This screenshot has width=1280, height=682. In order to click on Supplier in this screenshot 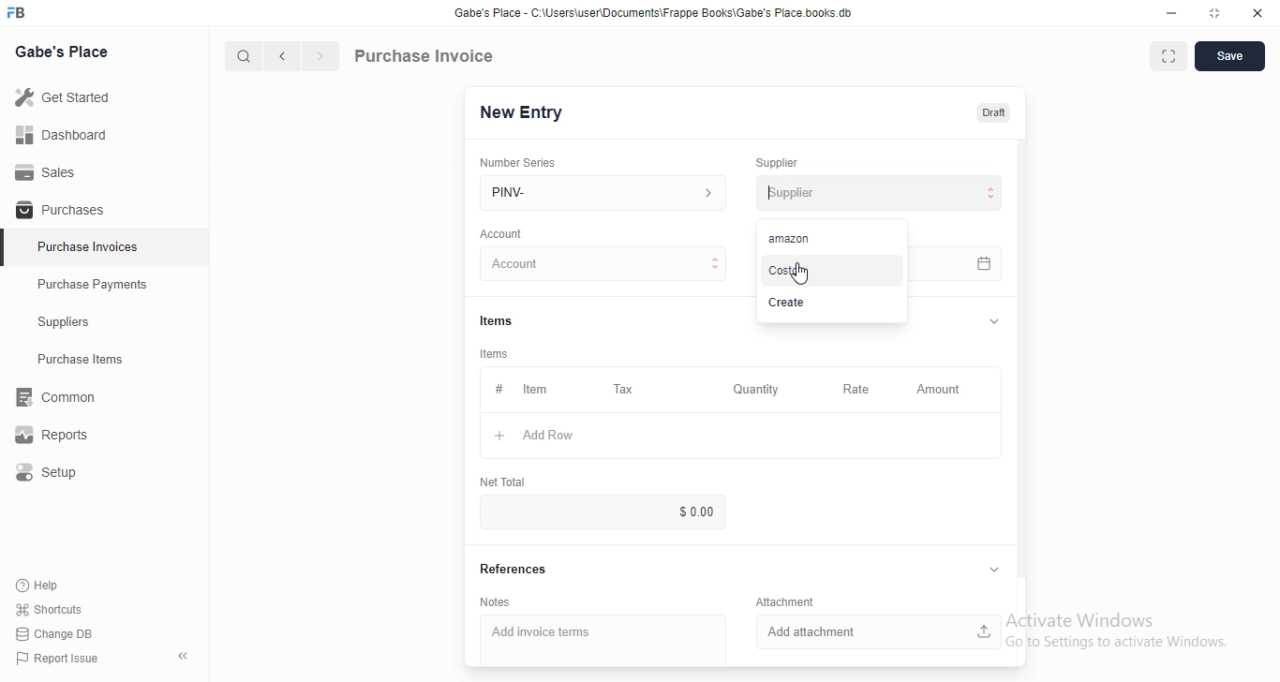, I will do `click(777, 163)`.